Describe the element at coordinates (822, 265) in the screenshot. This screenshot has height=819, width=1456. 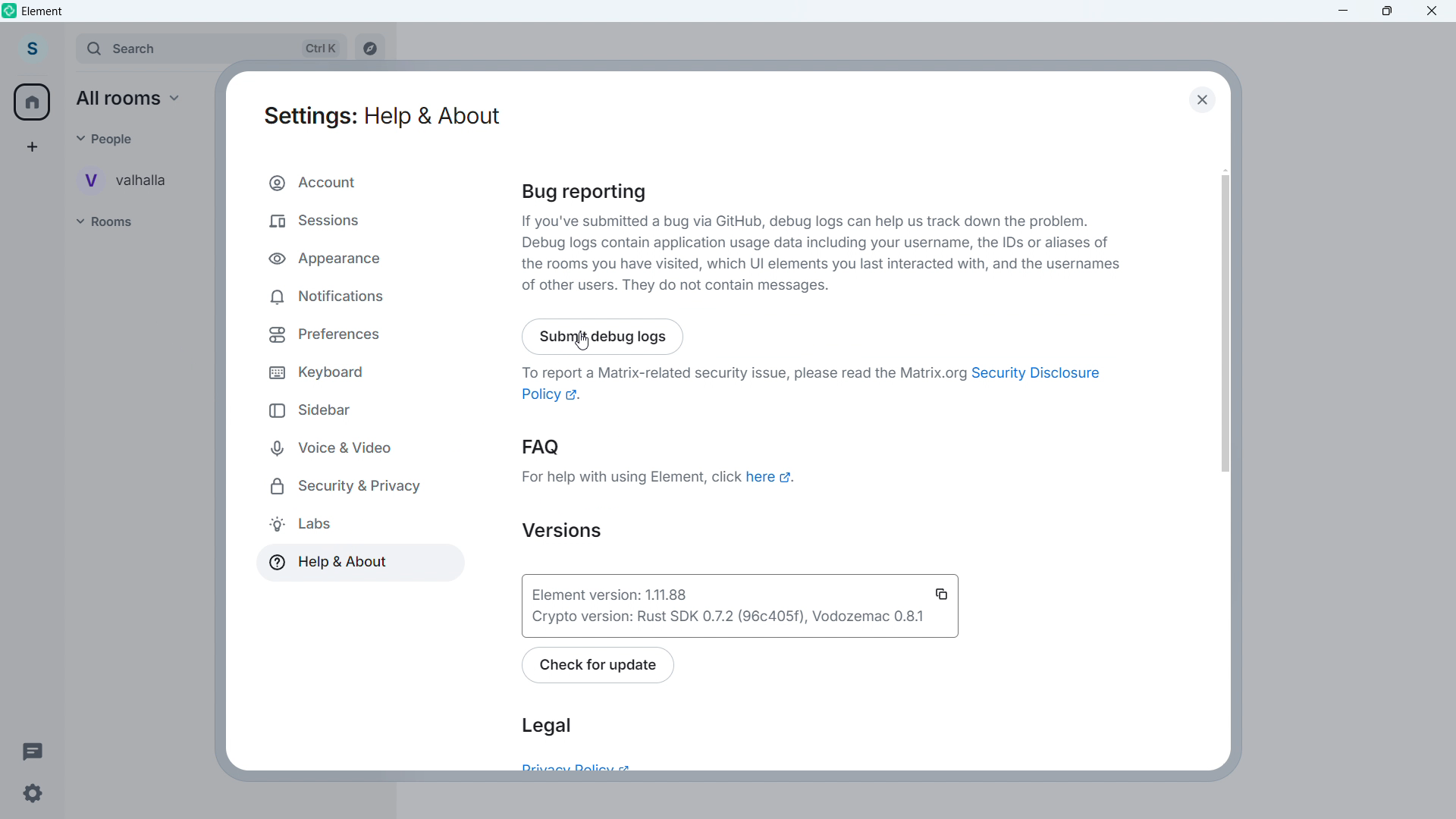
I see `the rooms you have visited, which UI elements you last interacted with, and the usernames` at that location.